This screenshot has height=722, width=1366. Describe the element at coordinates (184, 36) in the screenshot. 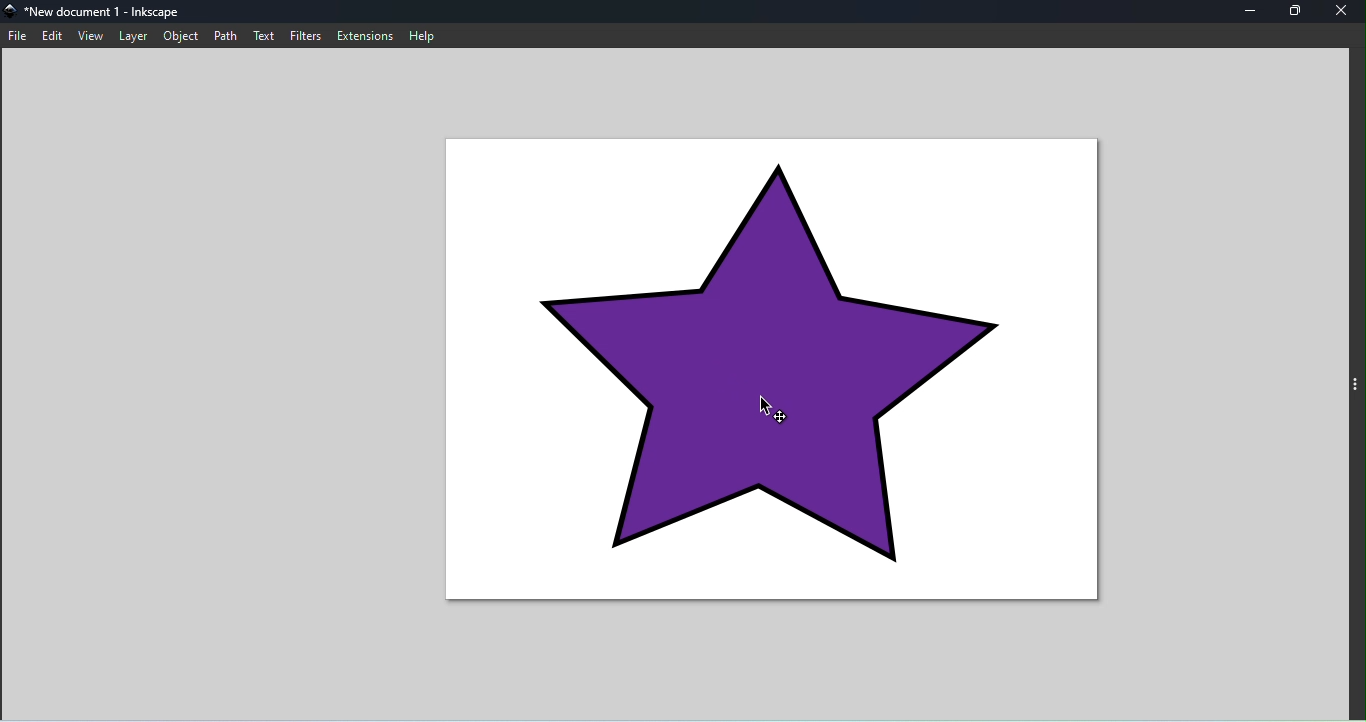

I see `object` at that location.